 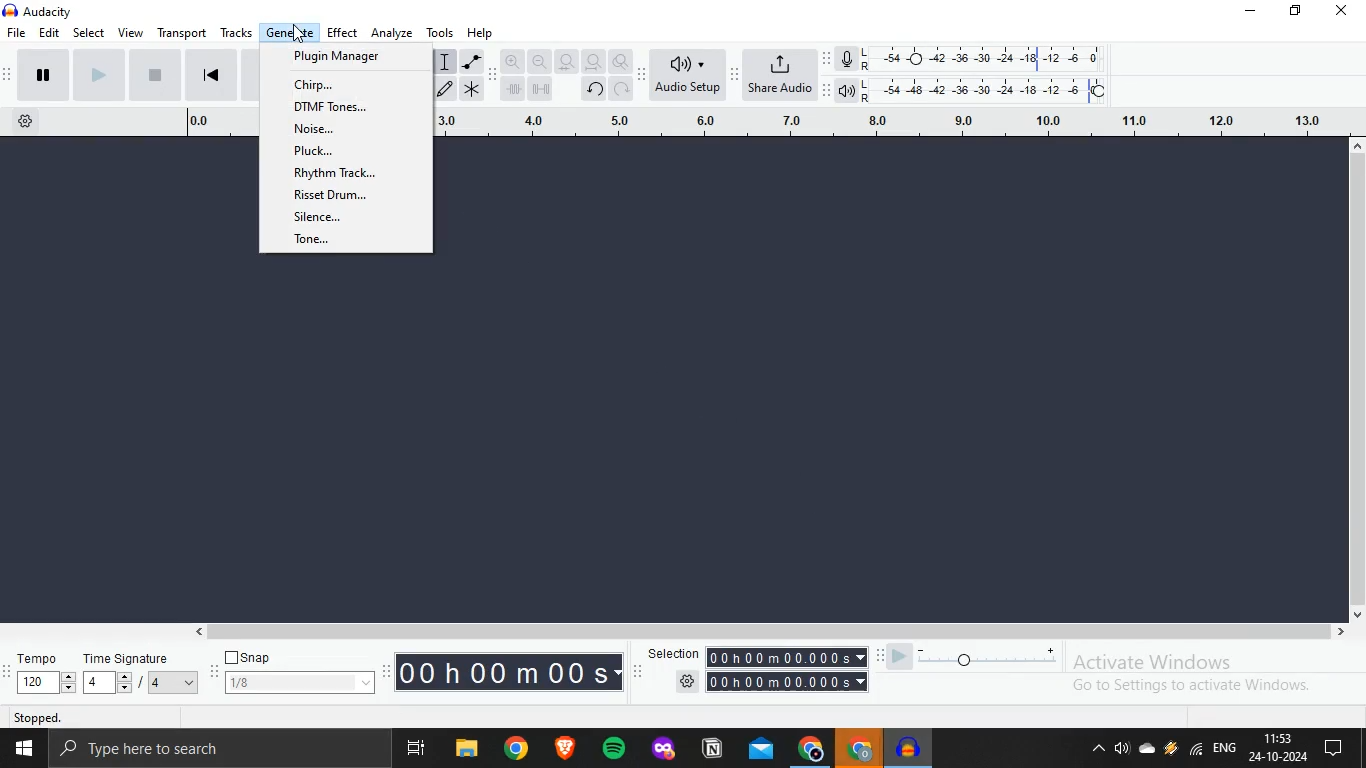 I want to click on rhythm track, so click(x=336, y=175).